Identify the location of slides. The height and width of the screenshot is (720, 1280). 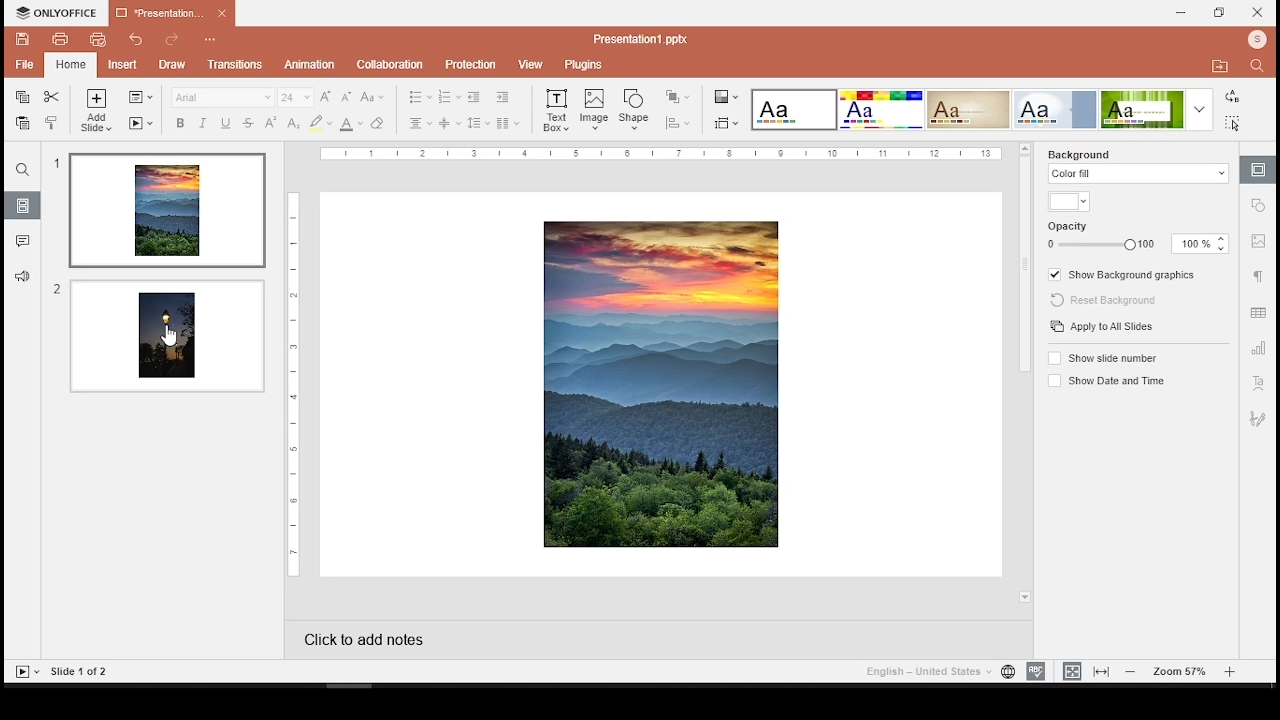
(23, 206).